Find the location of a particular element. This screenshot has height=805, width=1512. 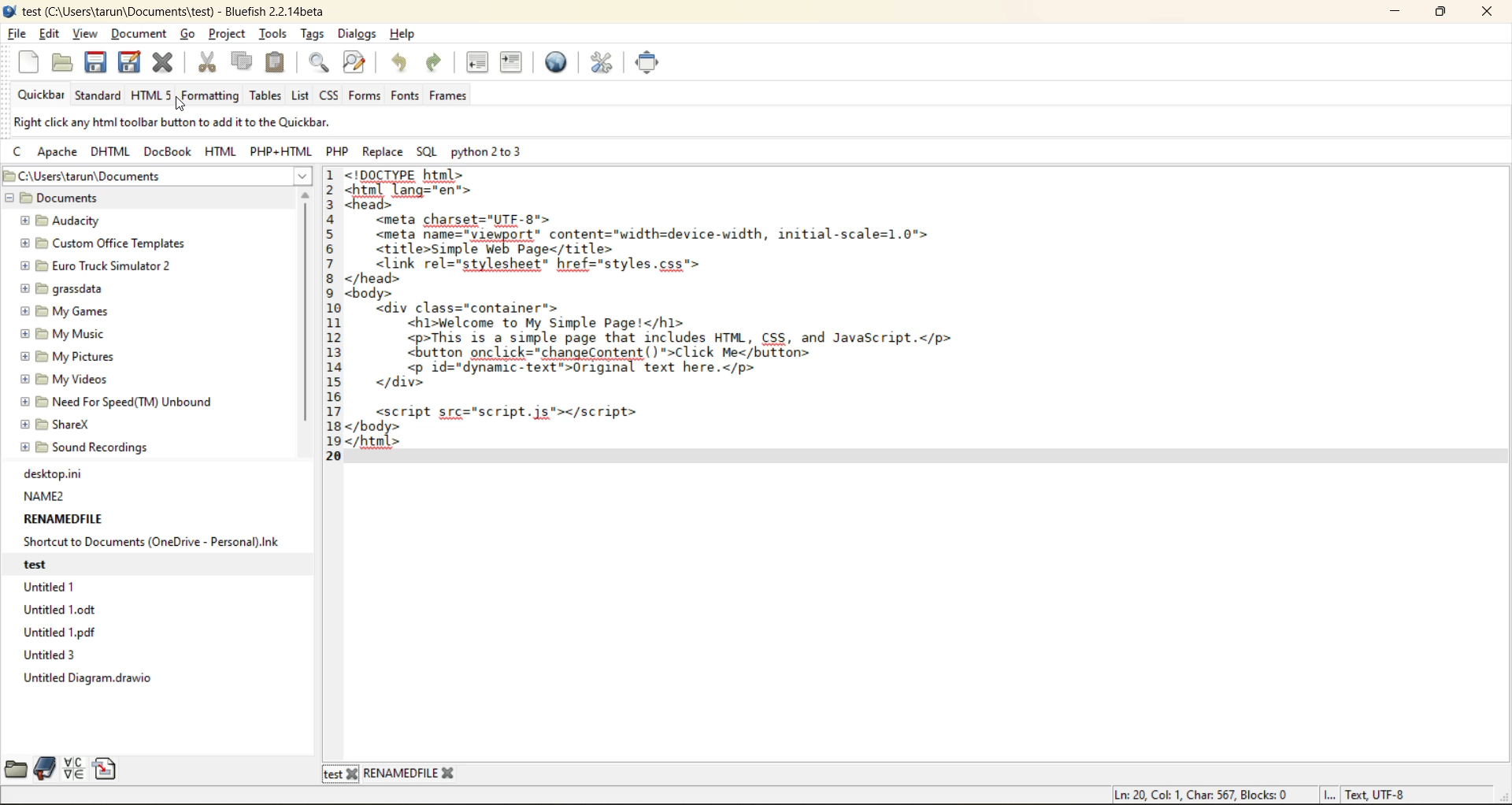

project is located at coordinates (230, 33).